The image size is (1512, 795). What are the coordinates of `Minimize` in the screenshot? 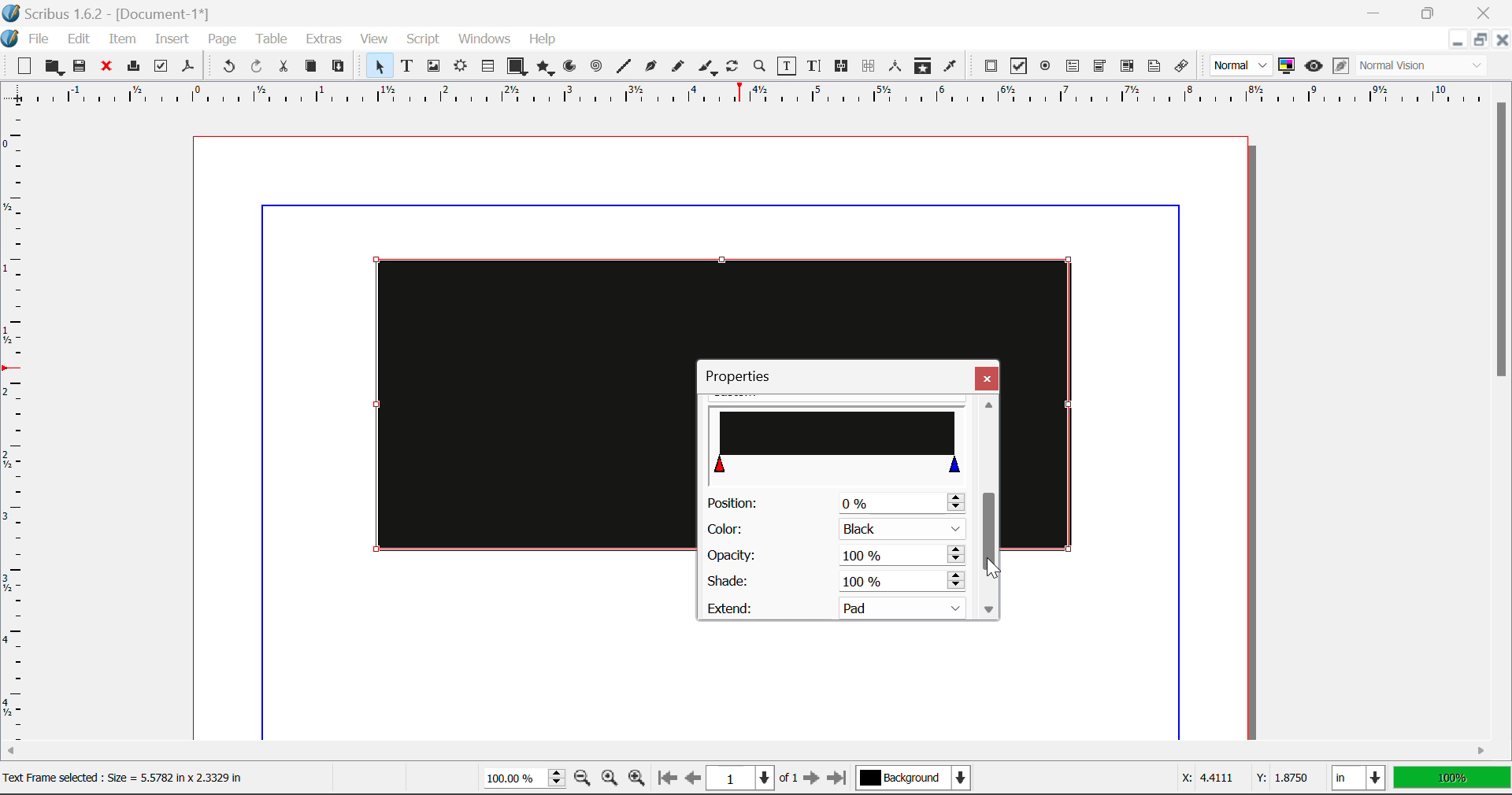 It's located at (1429, 11).